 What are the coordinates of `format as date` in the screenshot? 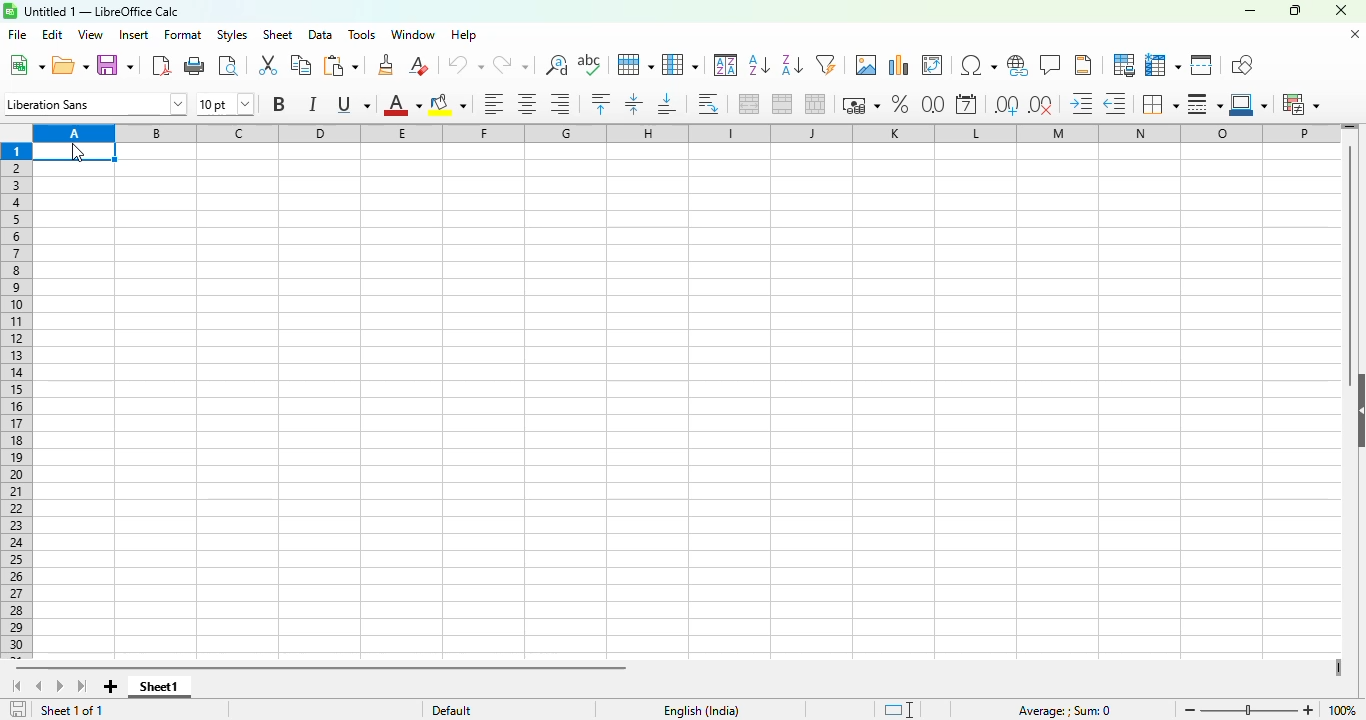 It's located at (966, 104).